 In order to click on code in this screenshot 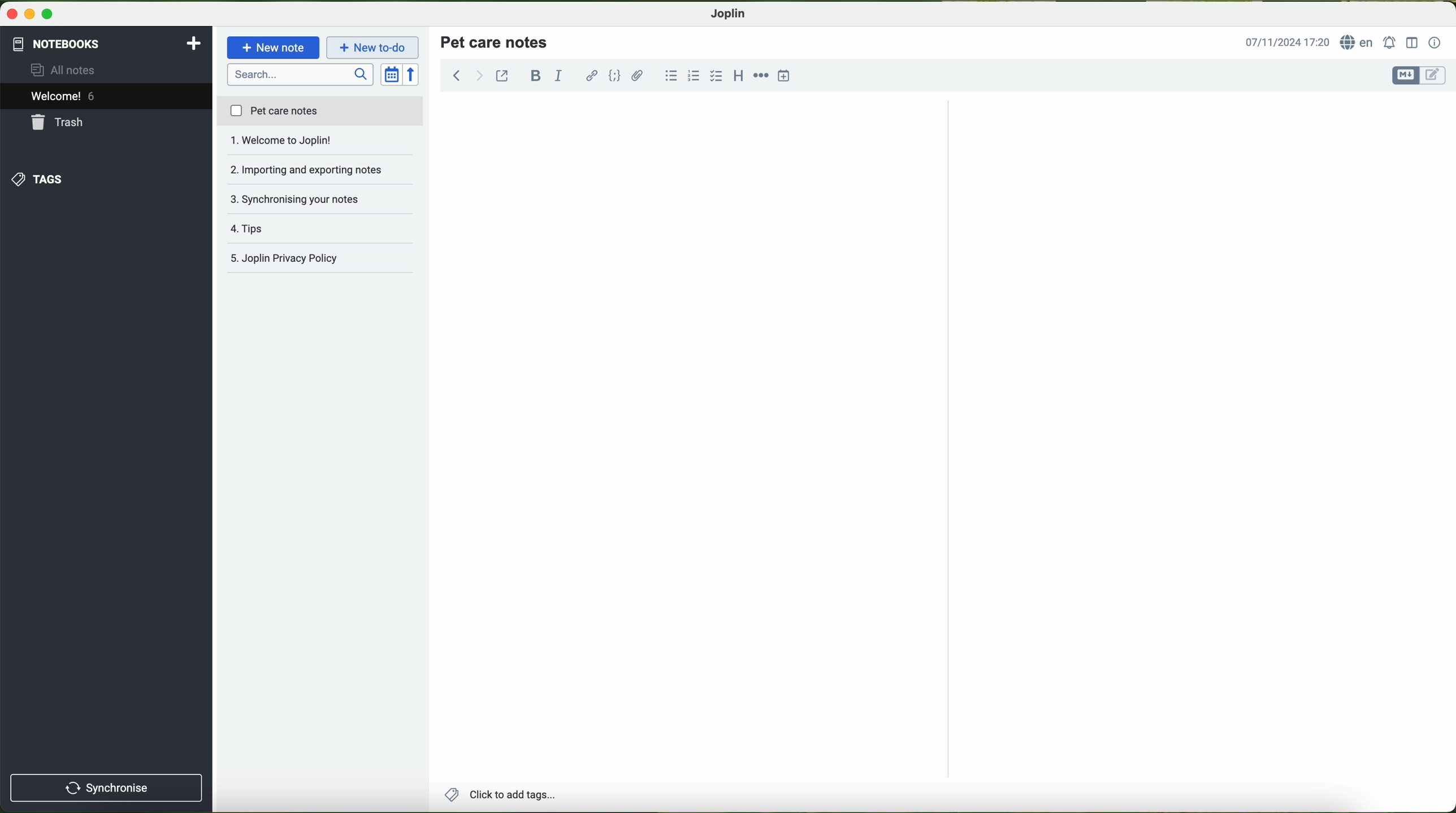, I will do `click(614, 75)`.